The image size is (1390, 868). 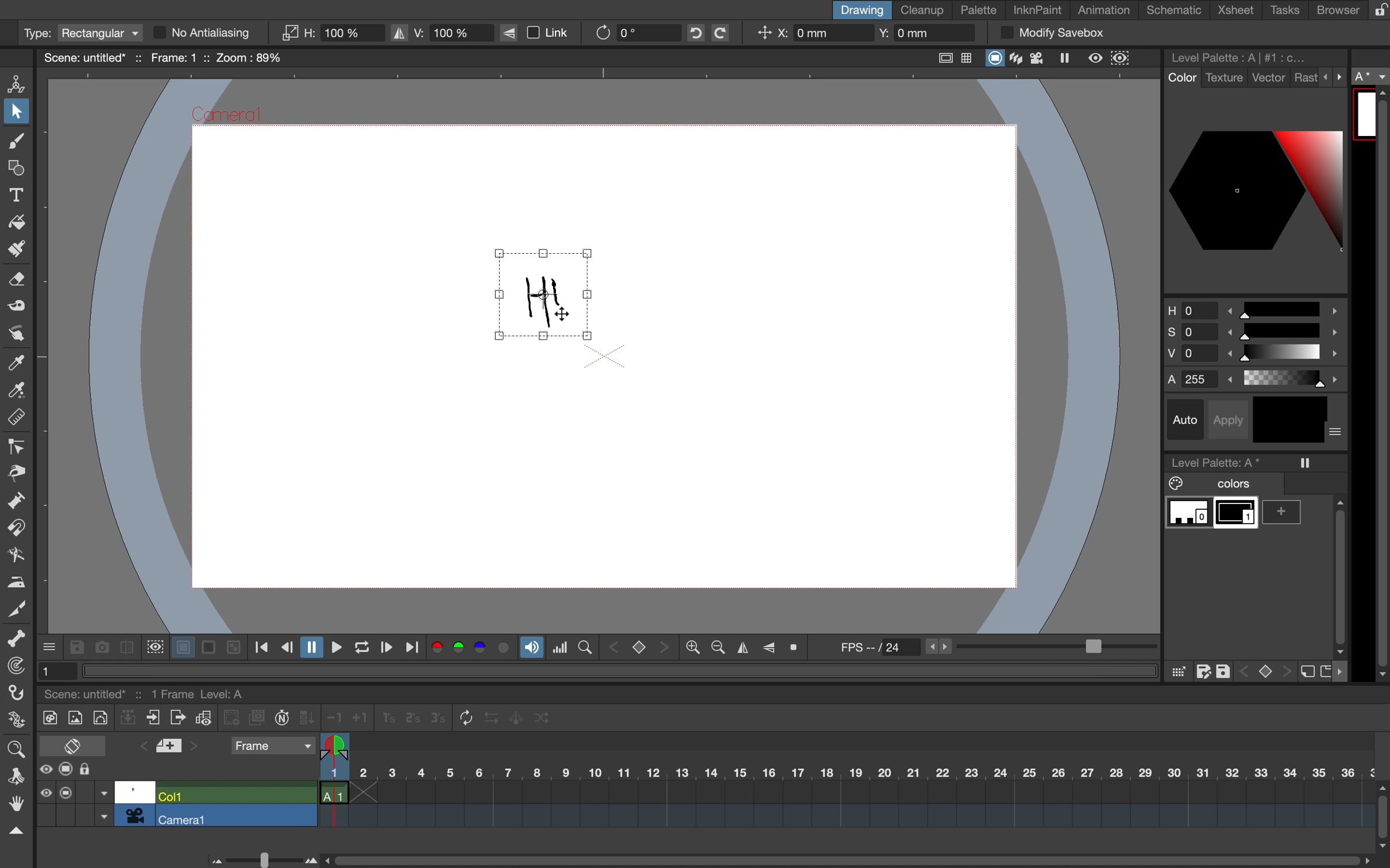 What do you see at coordinates (1372, 77) in the screenshot?
I see `a` at bounding box center [1372, 77].